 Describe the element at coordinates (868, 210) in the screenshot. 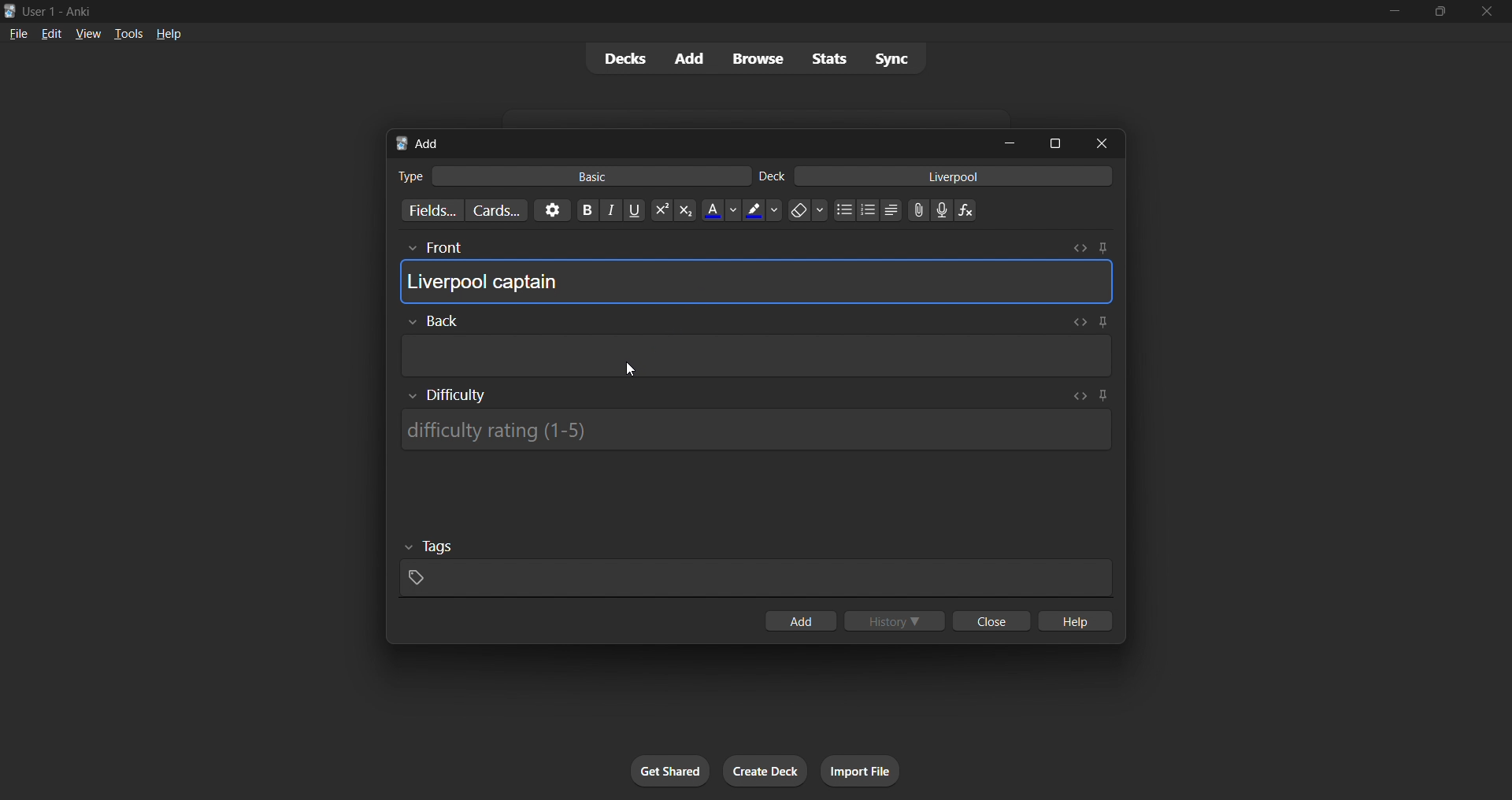

I see `Ordered list` at that location.